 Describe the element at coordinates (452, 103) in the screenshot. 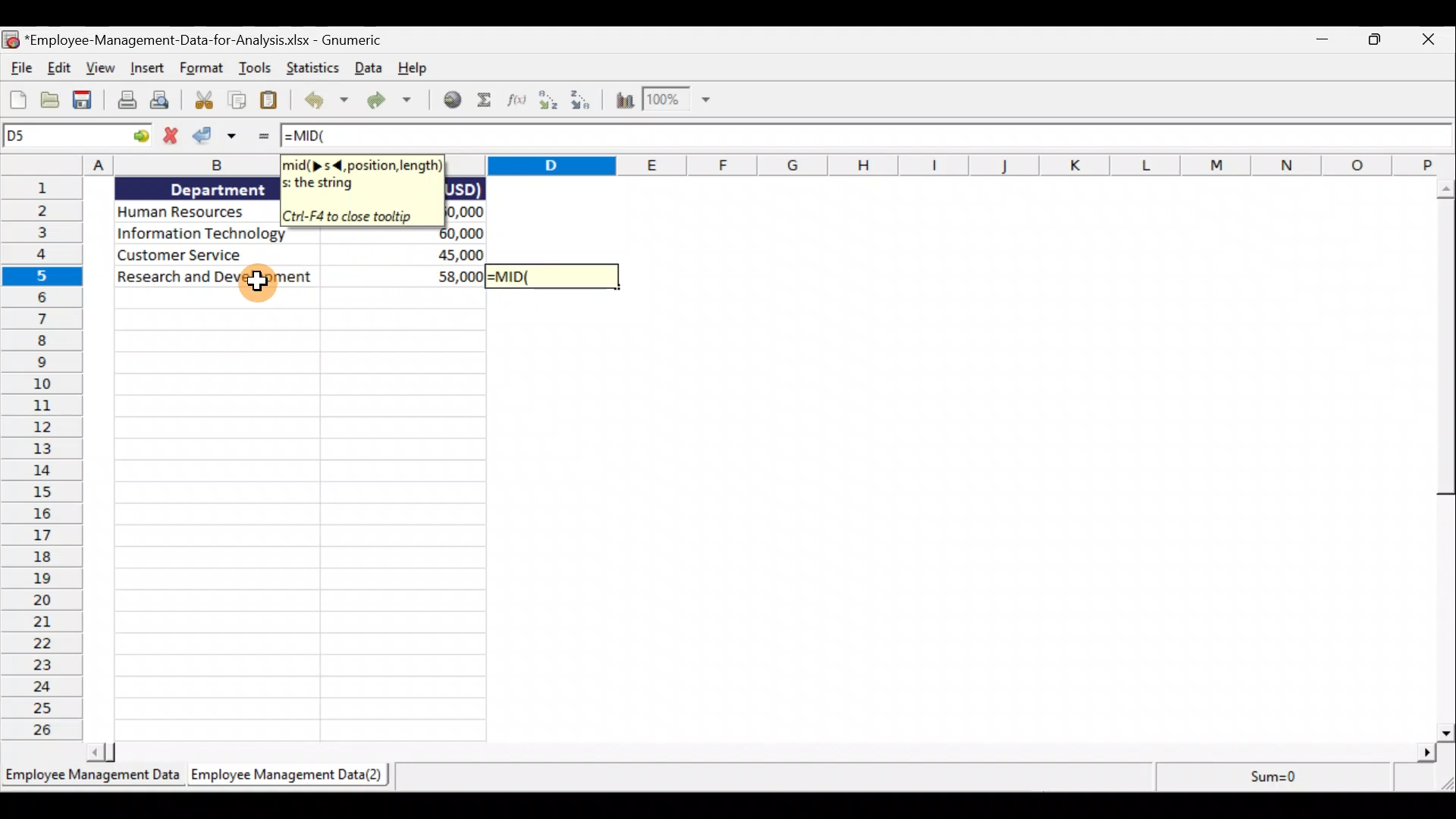

I see `Insert a hyperlink` at that location.